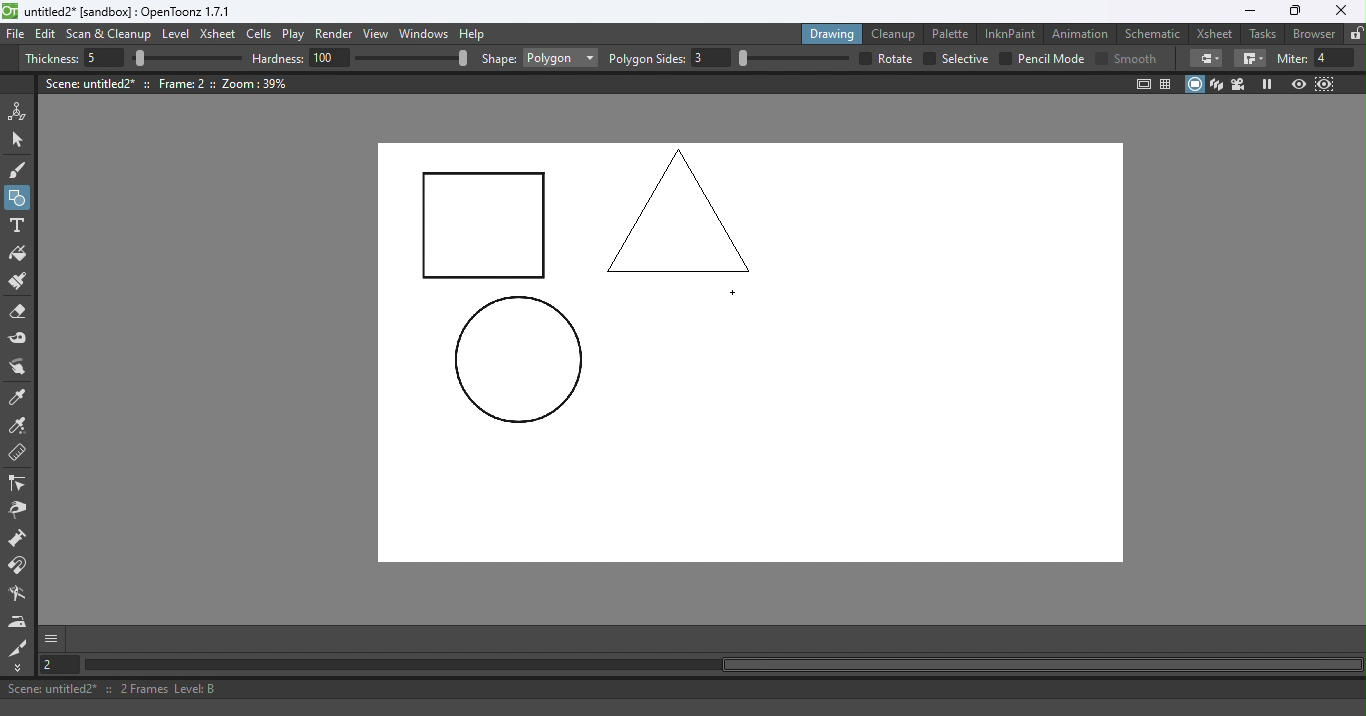  Describe the element at coordinates (18, 256) in the screenshot. I see `Fill tool` at that location.